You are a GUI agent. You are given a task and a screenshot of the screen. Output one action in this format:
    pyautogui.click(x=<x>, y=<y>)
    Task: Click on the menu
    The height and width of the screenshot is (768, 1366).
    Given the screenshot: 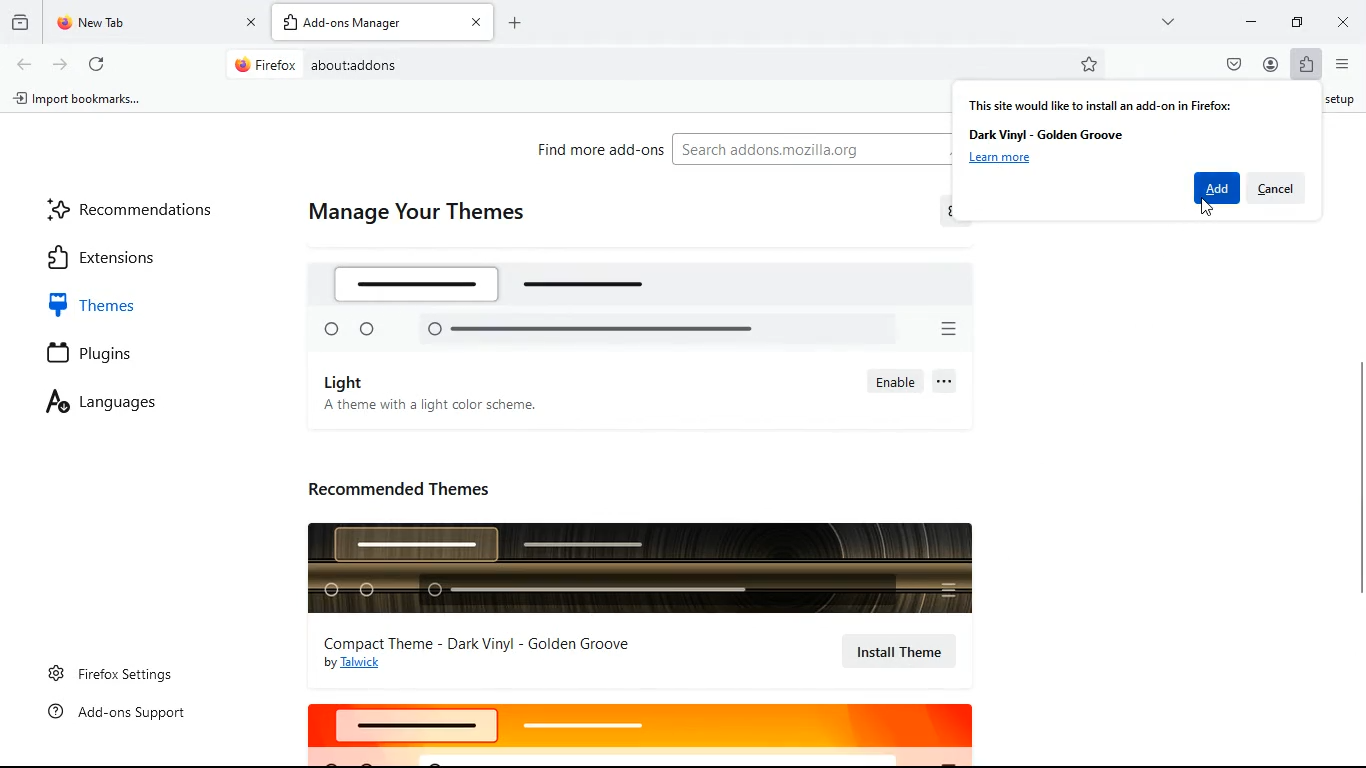 What is the action you would take?
    pyautogui.click(x=1342, y=65)
    